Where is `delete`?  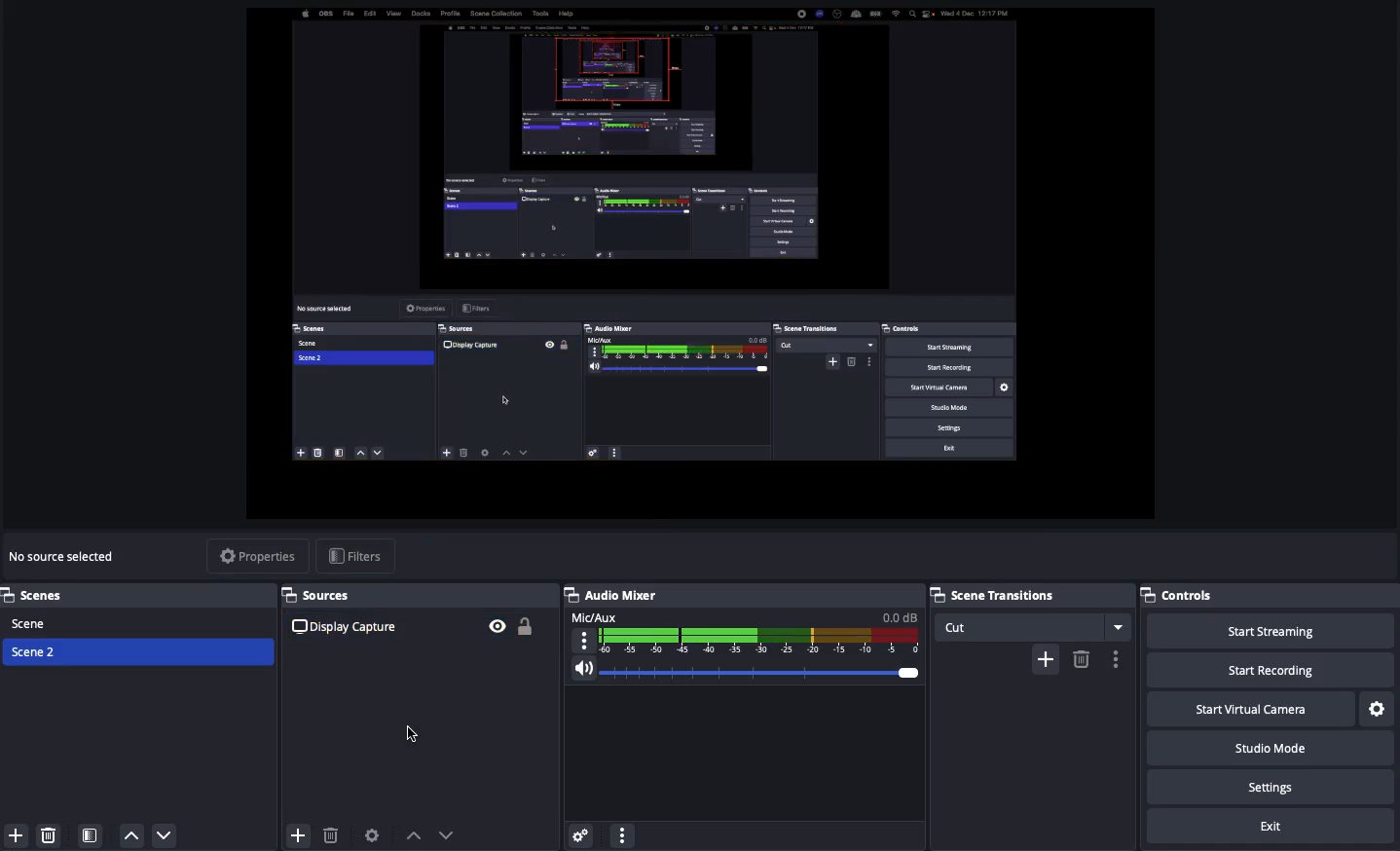
delete is located at coordinates (1081, 658).